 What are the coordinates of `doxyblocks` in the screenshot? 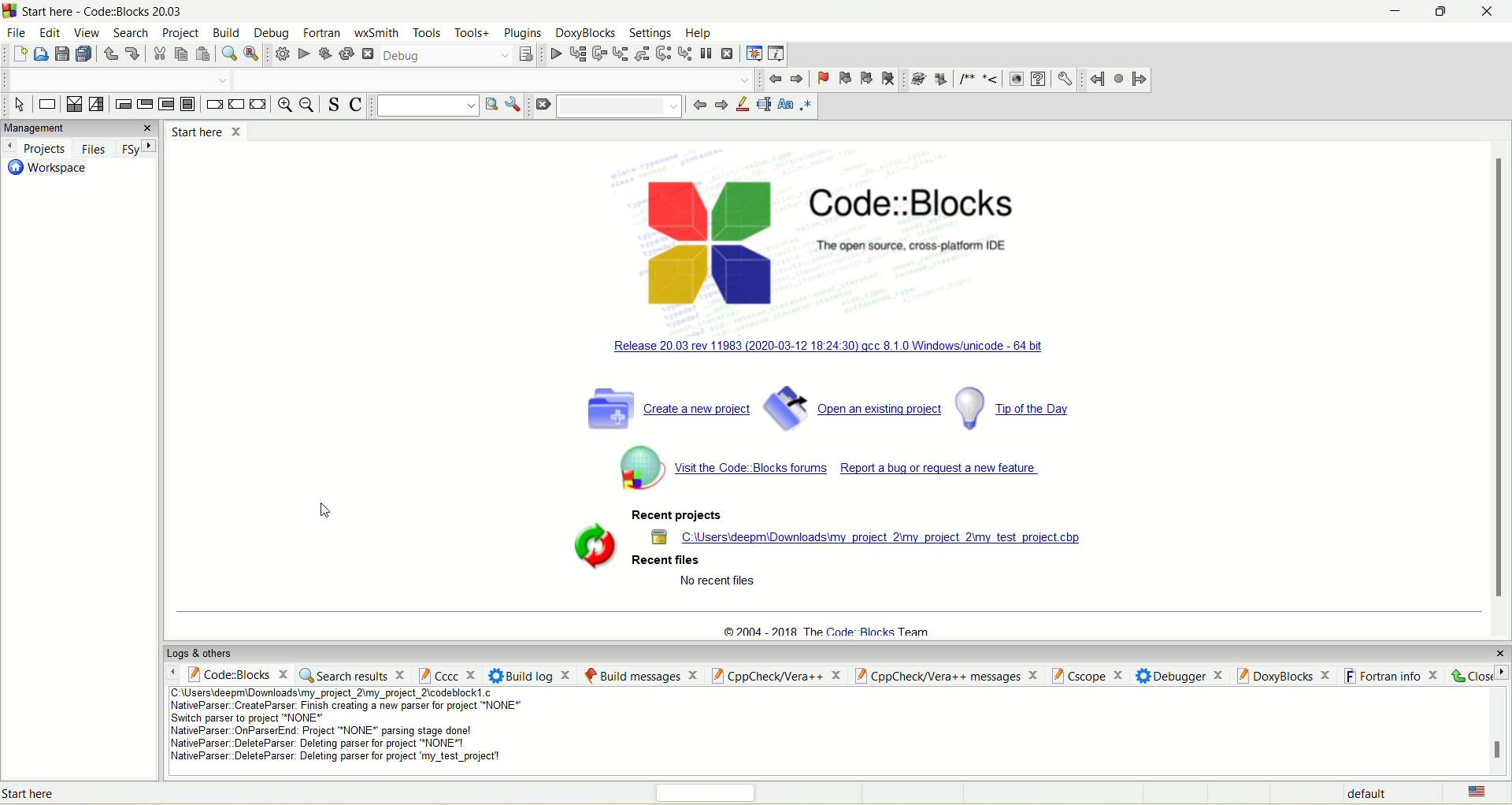 It's located at (1286, 676).